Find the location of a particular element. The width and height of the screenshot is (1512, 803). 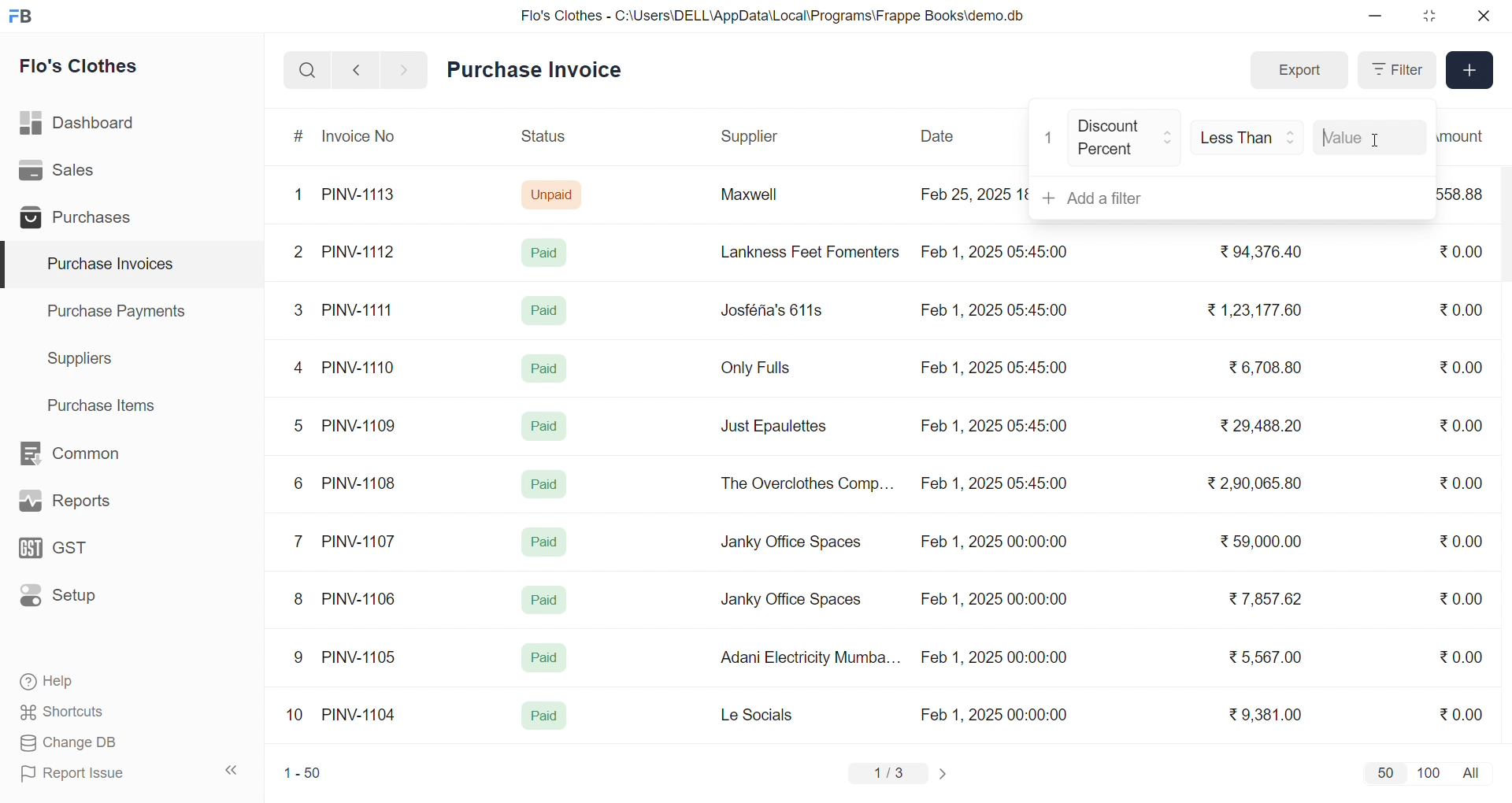

₹0.00 is located at coordinates (1461, 598).